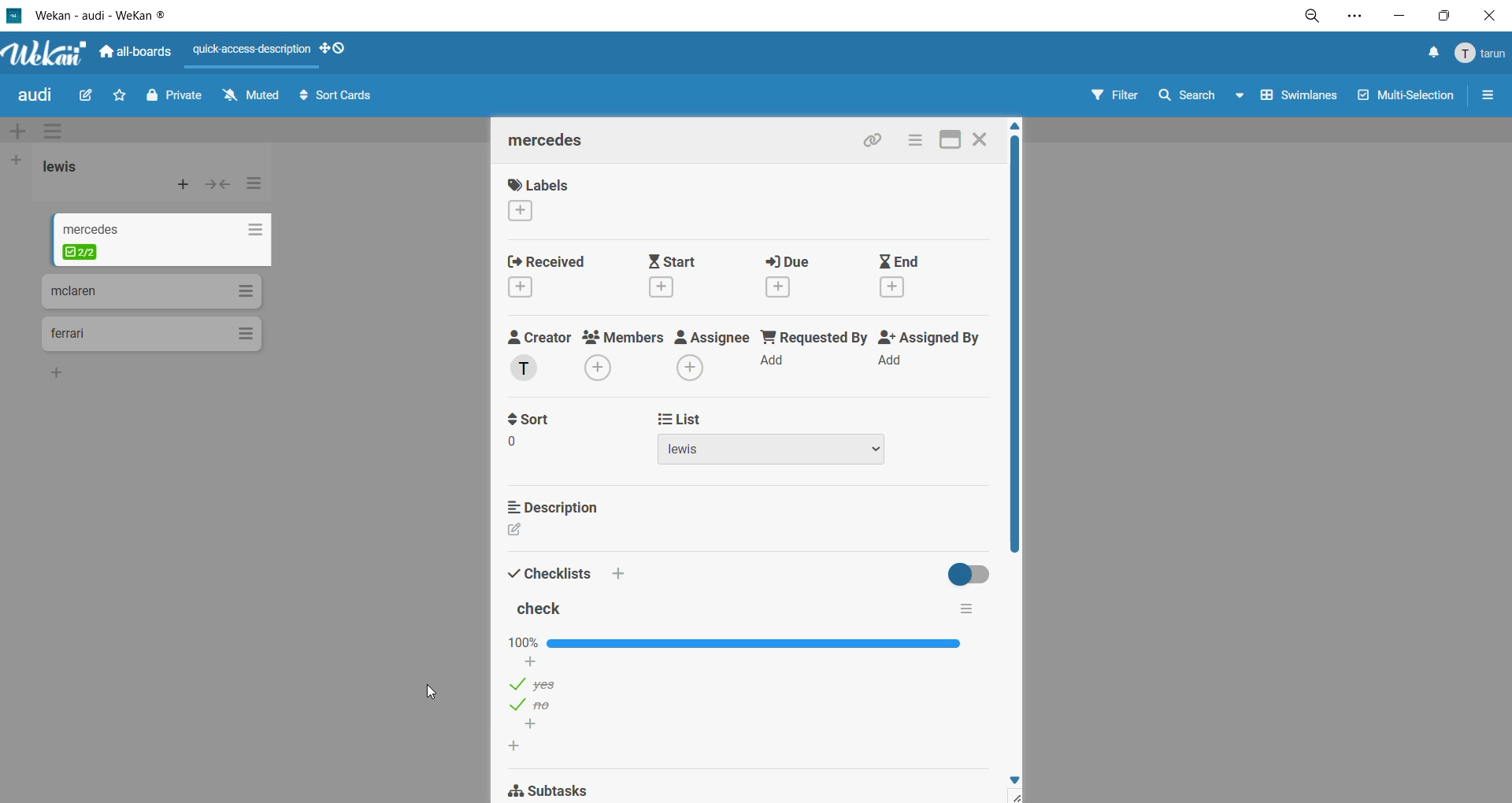 The image size is (1512, 803). Describe the element at coordinates (32, 98) in the screenshot. I see `board title` at that location.